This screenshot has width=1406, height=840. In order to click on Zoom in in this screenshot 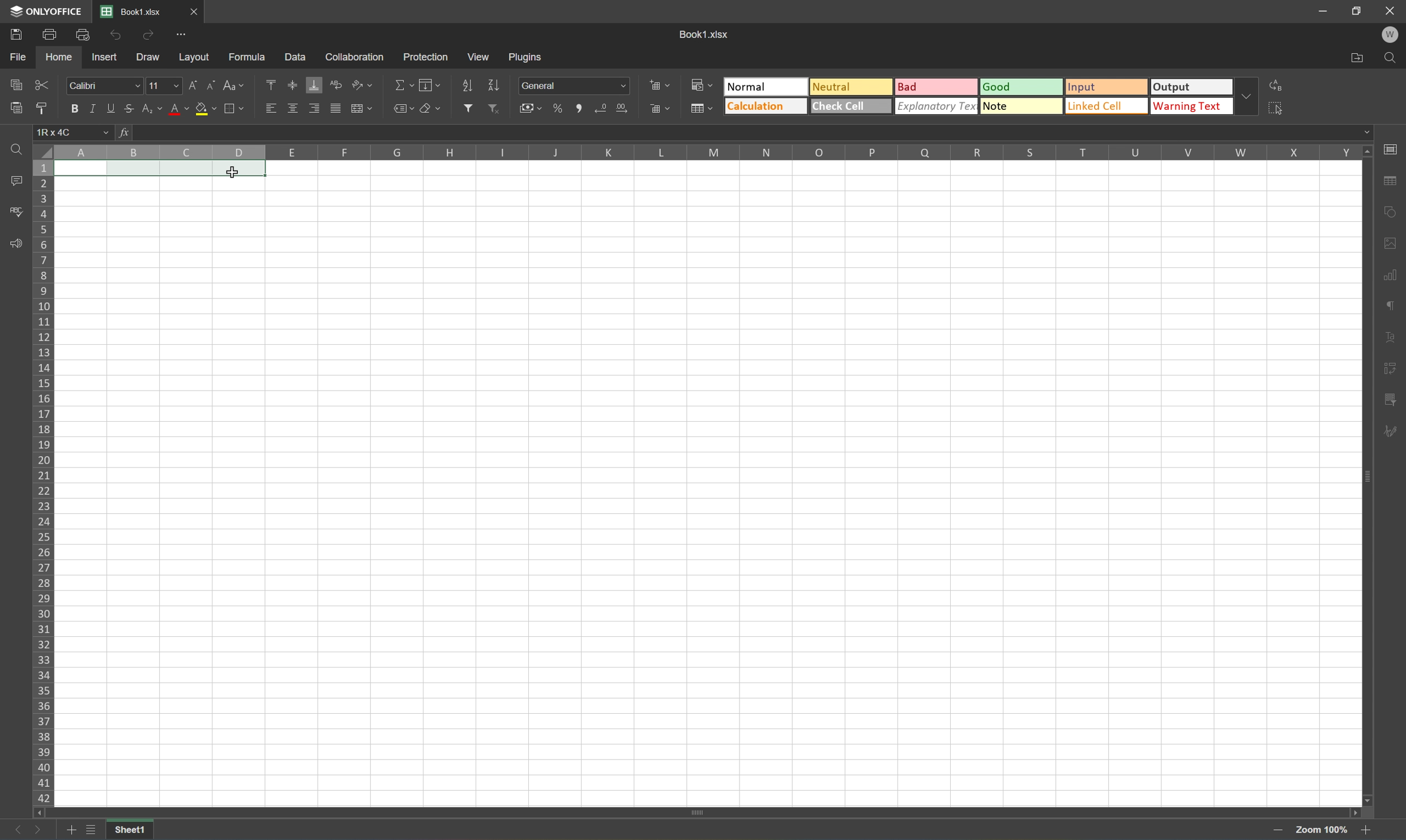, I will do `click(1280, 830)`.